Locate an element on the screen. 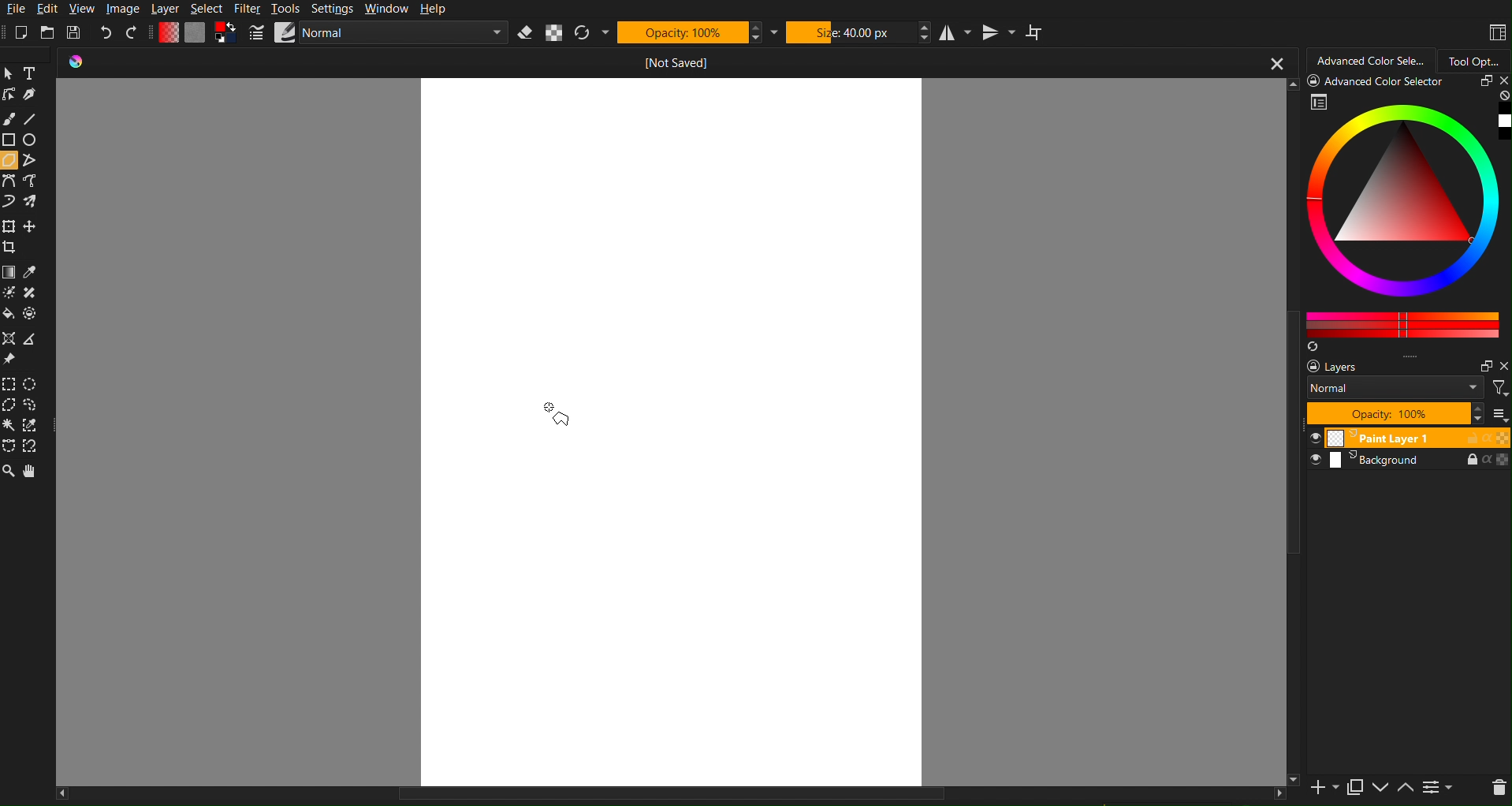 This screenshot has width=1512, height=806. calligraphy is located at coordinates (38, 96).